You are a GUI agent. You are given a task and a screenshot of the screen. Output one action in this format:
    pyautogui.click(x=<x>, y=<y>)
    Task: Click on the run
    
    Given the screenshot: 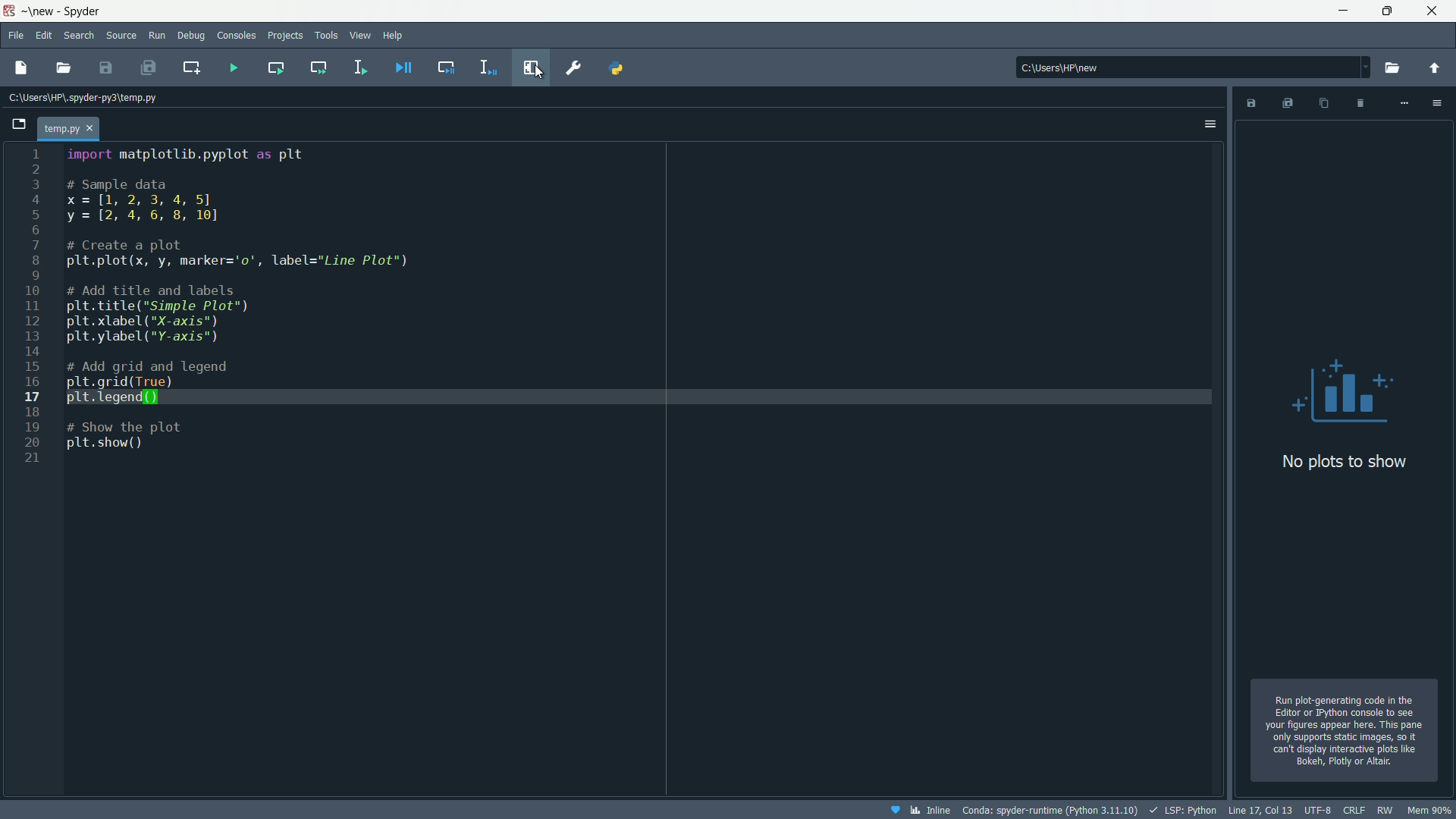 What is the action you would take?
    pyautogui.click(x=156, y=36)
    